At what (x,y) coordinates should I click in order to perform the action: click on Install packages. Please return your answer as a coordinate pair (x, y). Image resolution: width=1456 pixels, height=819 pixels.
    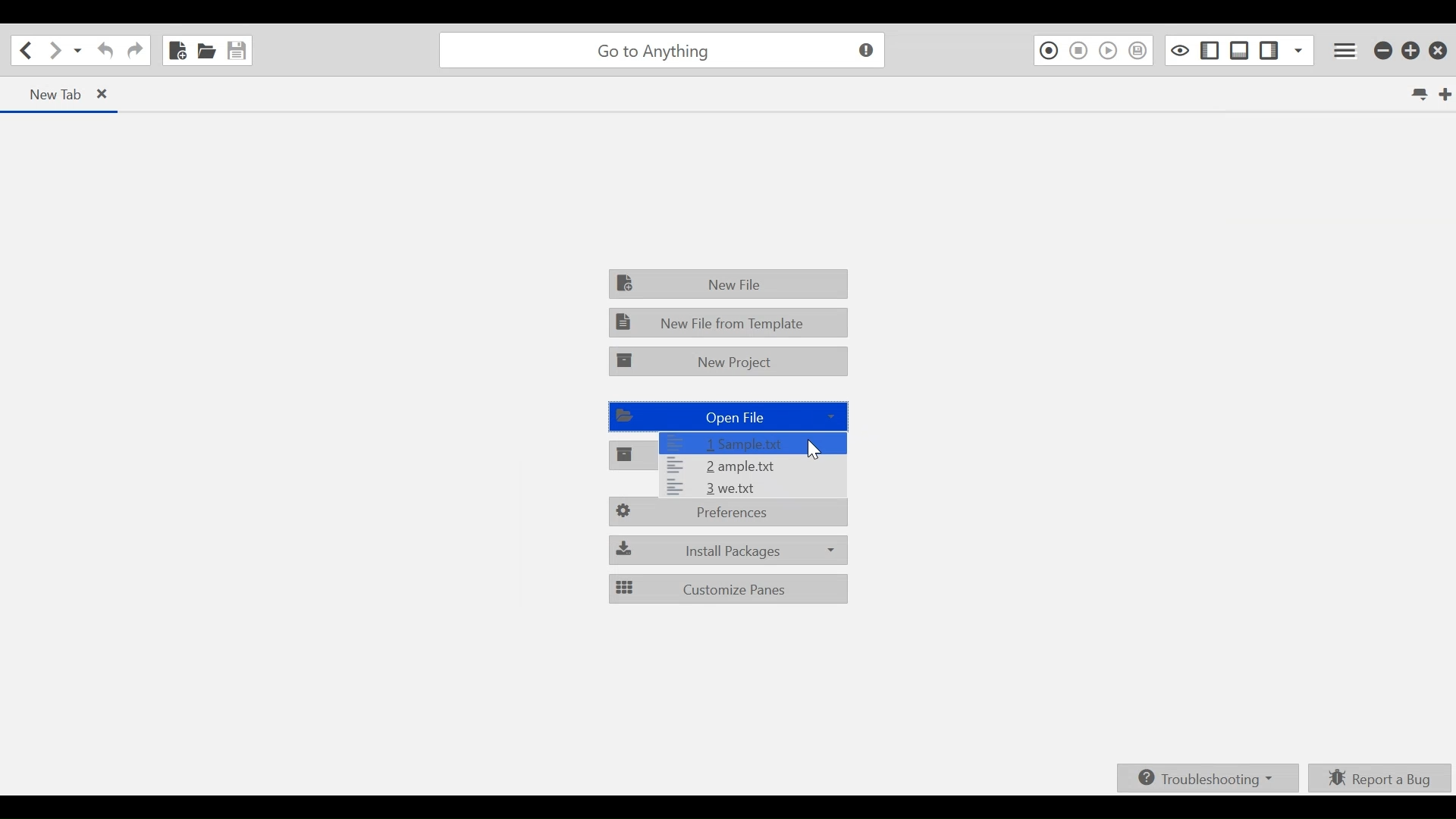
    Looking at the image, I should click on (727, 549).